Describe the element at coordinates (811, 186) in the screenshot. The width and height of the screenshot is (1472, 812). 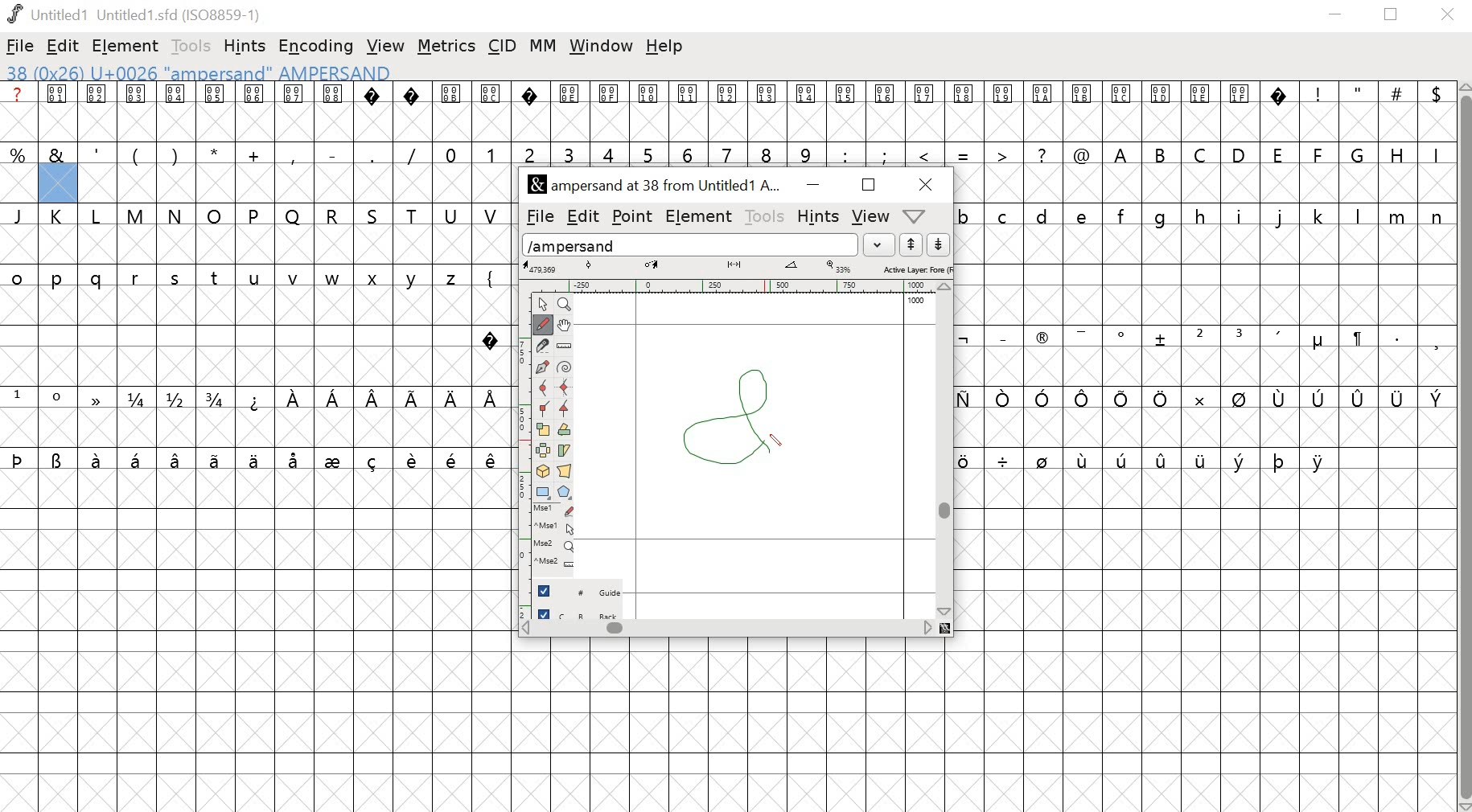
I see `minimize` at that location.